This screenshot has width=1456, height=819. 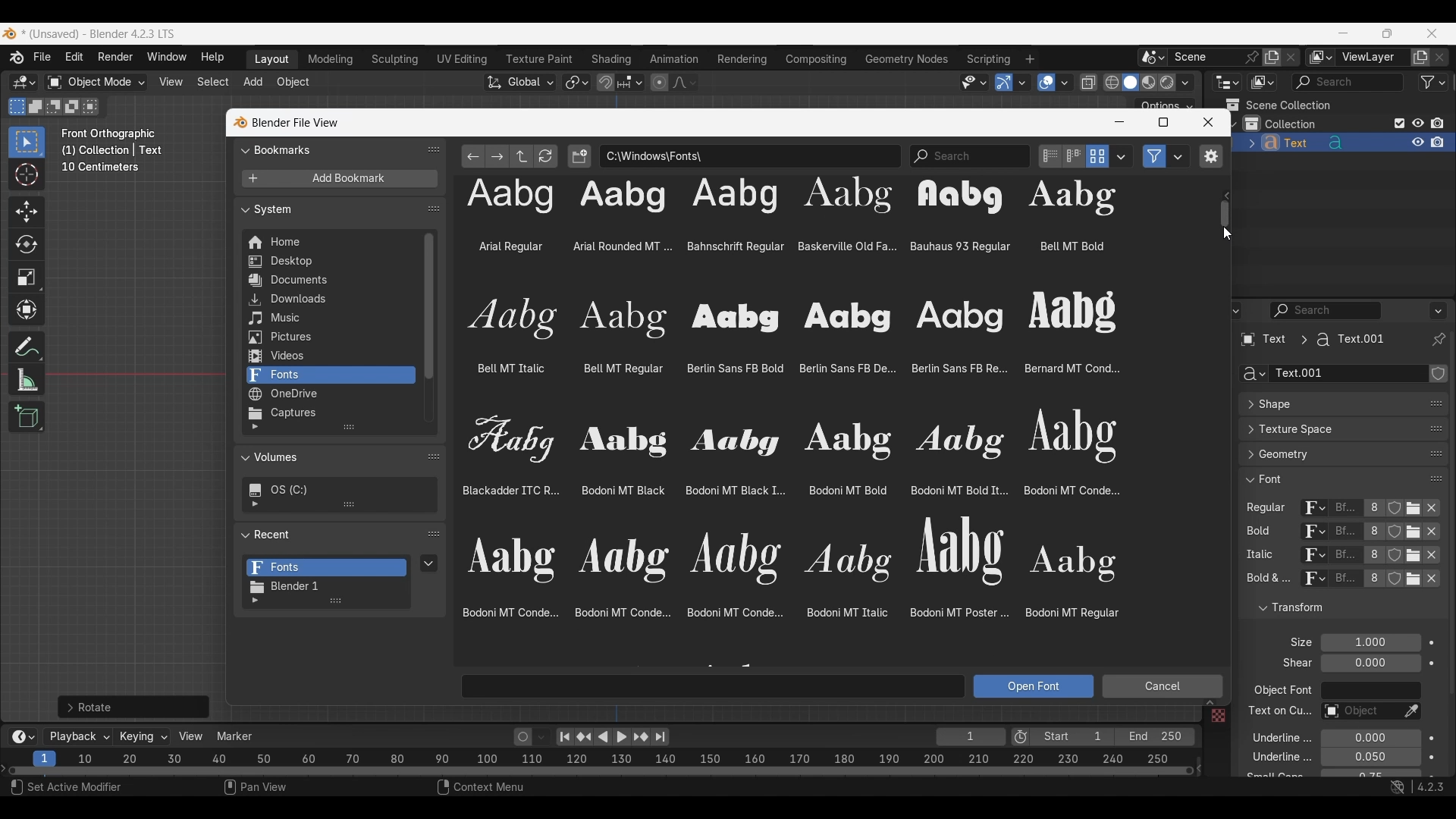 What do you see at coordinates (1004, 83) in the screenshot?
I see `Show gizmo` at bounding box center [1004, 83].